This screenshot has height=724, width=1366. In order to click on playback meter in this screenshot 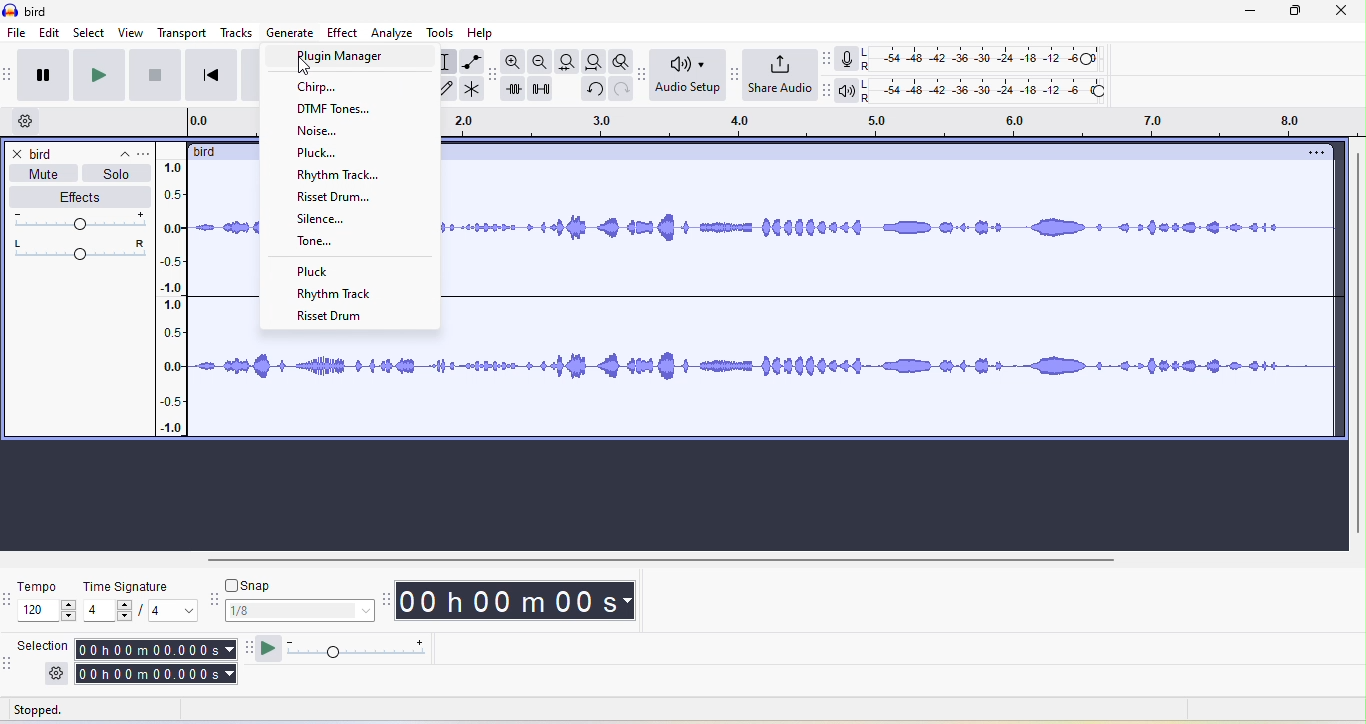, I will do `click(850, 93)`.